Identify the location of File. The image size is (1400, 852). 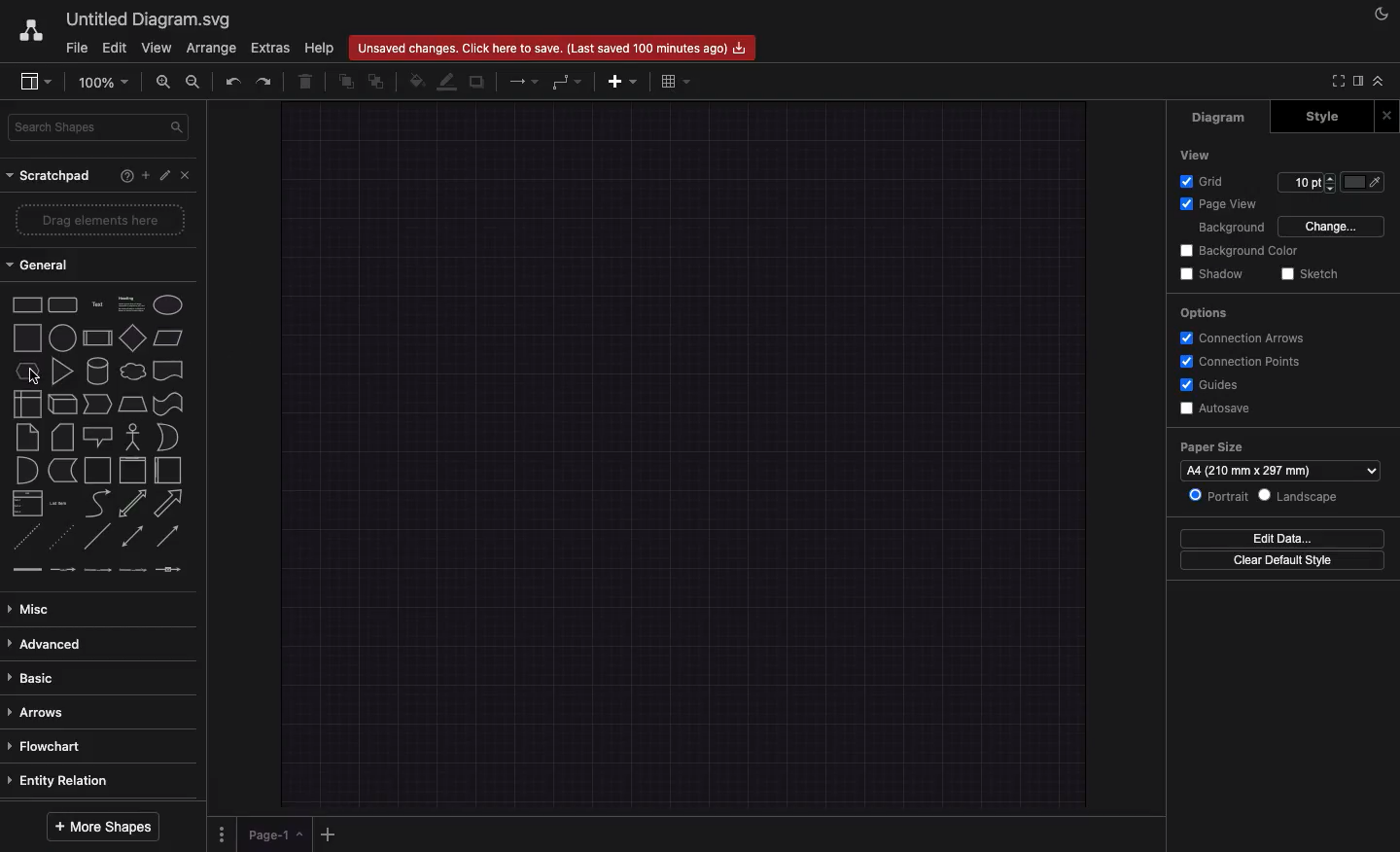
(77, 50).